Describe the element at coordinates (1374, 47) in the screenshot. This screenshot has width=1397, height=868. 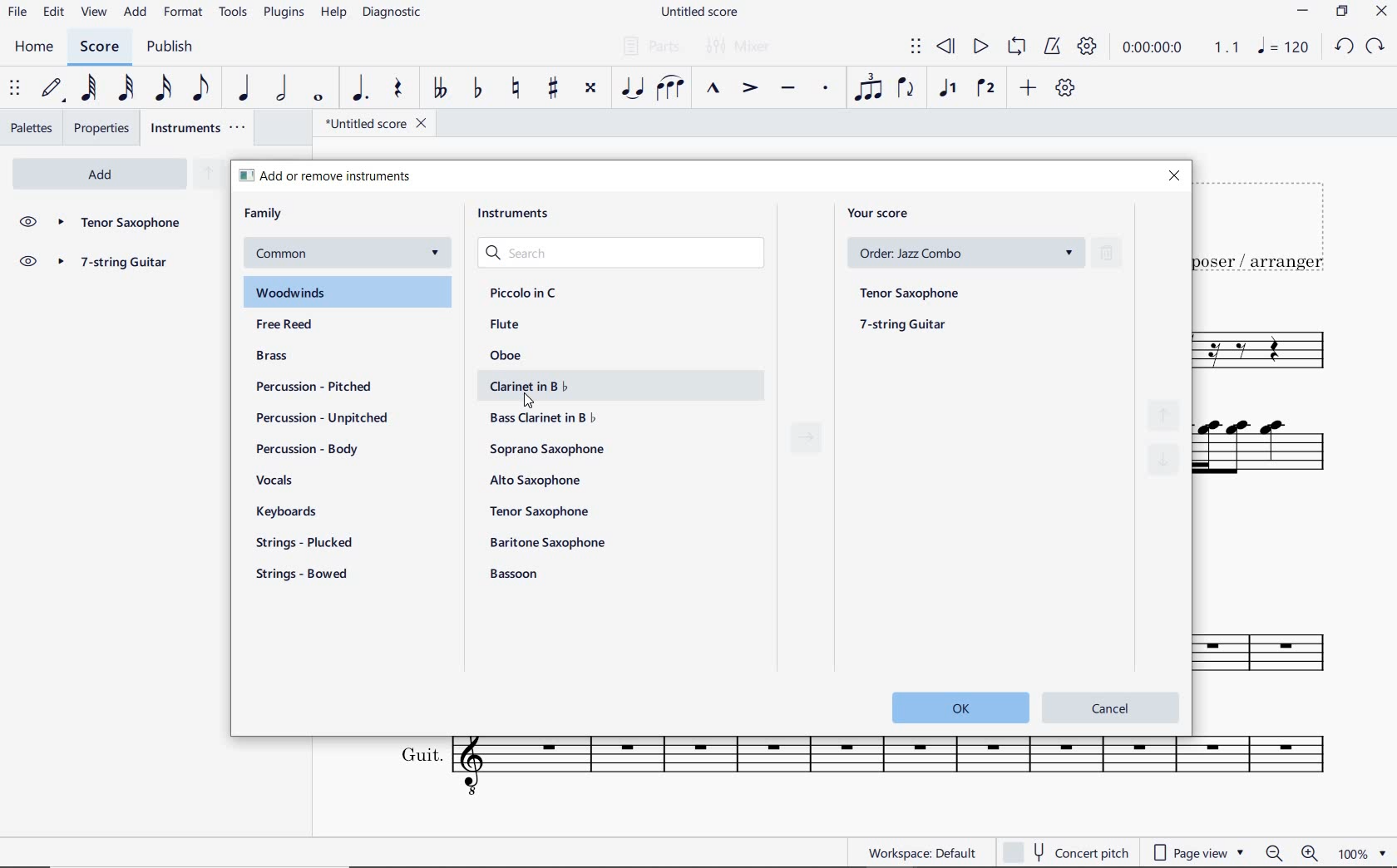
I see `REDO` at that location.